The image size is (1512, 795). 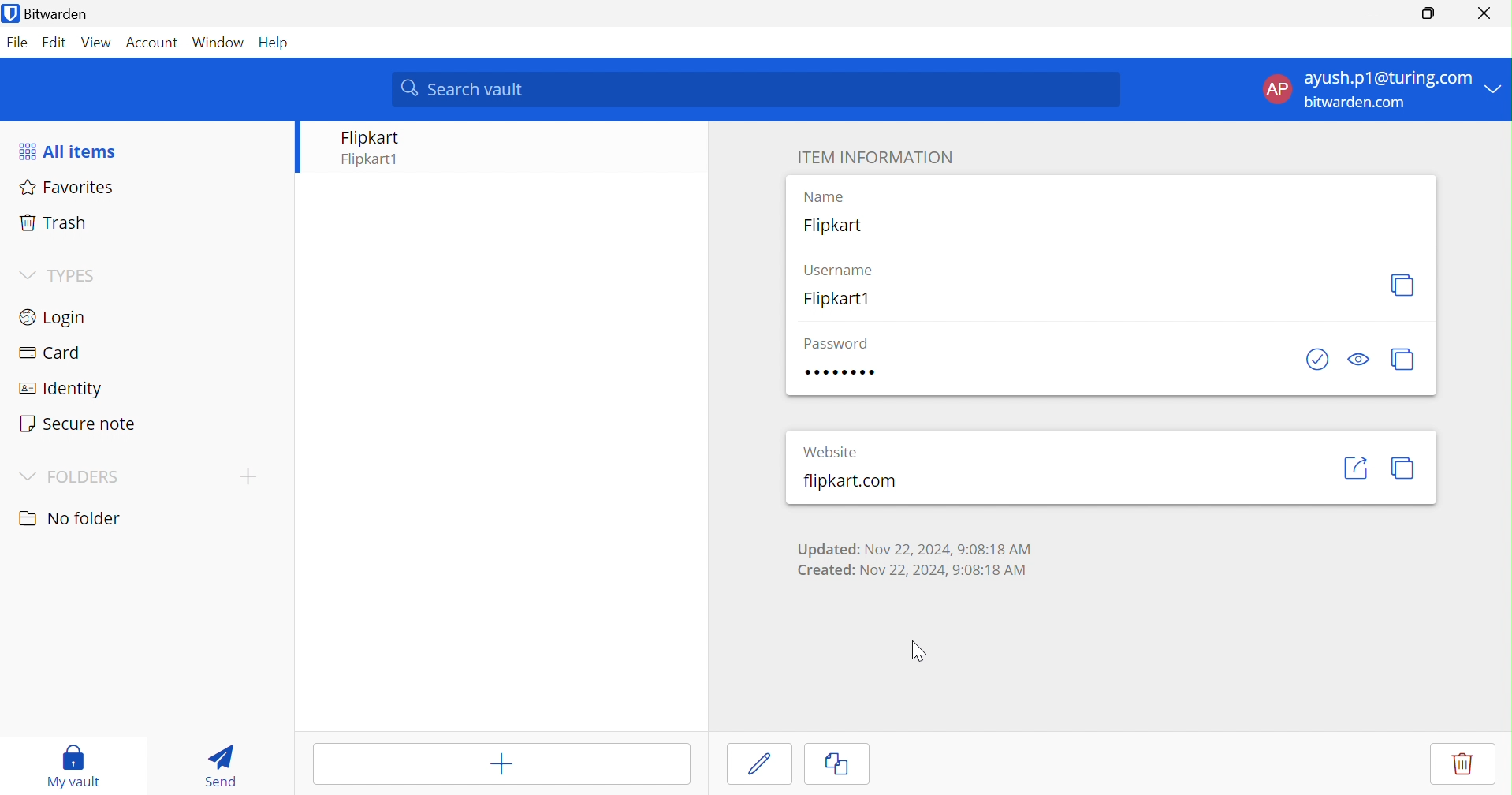 What do you see at coordinates (76, 765) in the screenshot?
I see `My vault` at bounding box center [76, 765].